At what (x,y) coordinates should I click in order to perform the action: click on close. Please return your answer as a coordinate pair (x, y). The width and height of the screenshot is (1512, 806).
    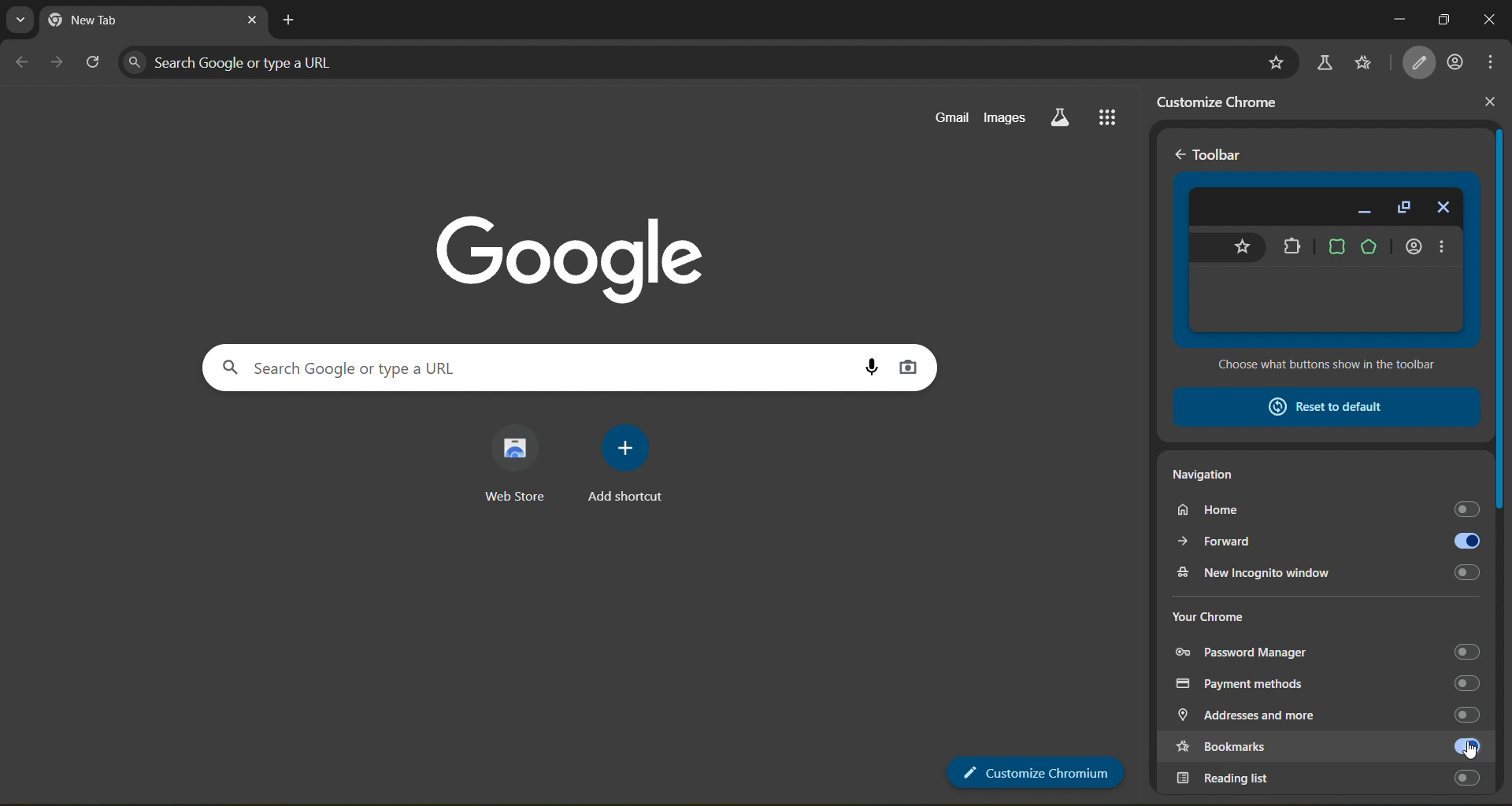
    Looking at the image, I should click on (248, 20).